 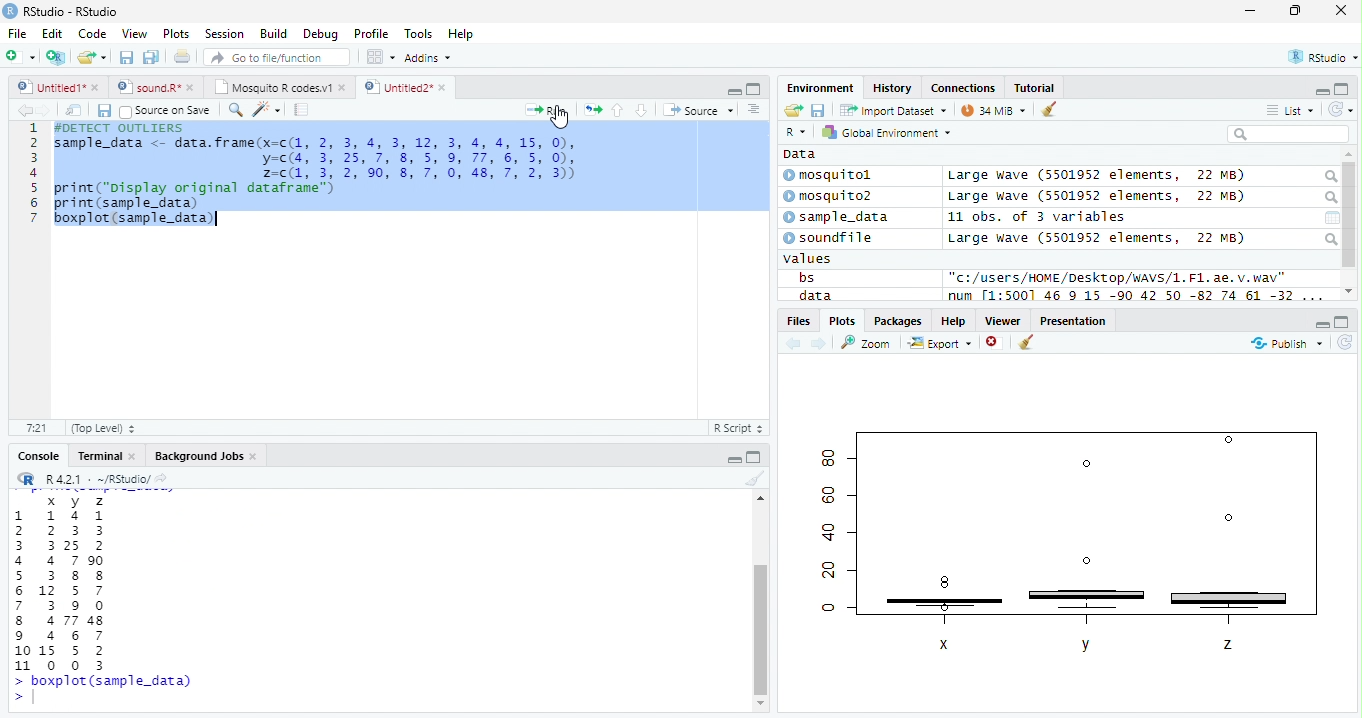 I want to click on Background Jobs, so click(x=204, y=456).